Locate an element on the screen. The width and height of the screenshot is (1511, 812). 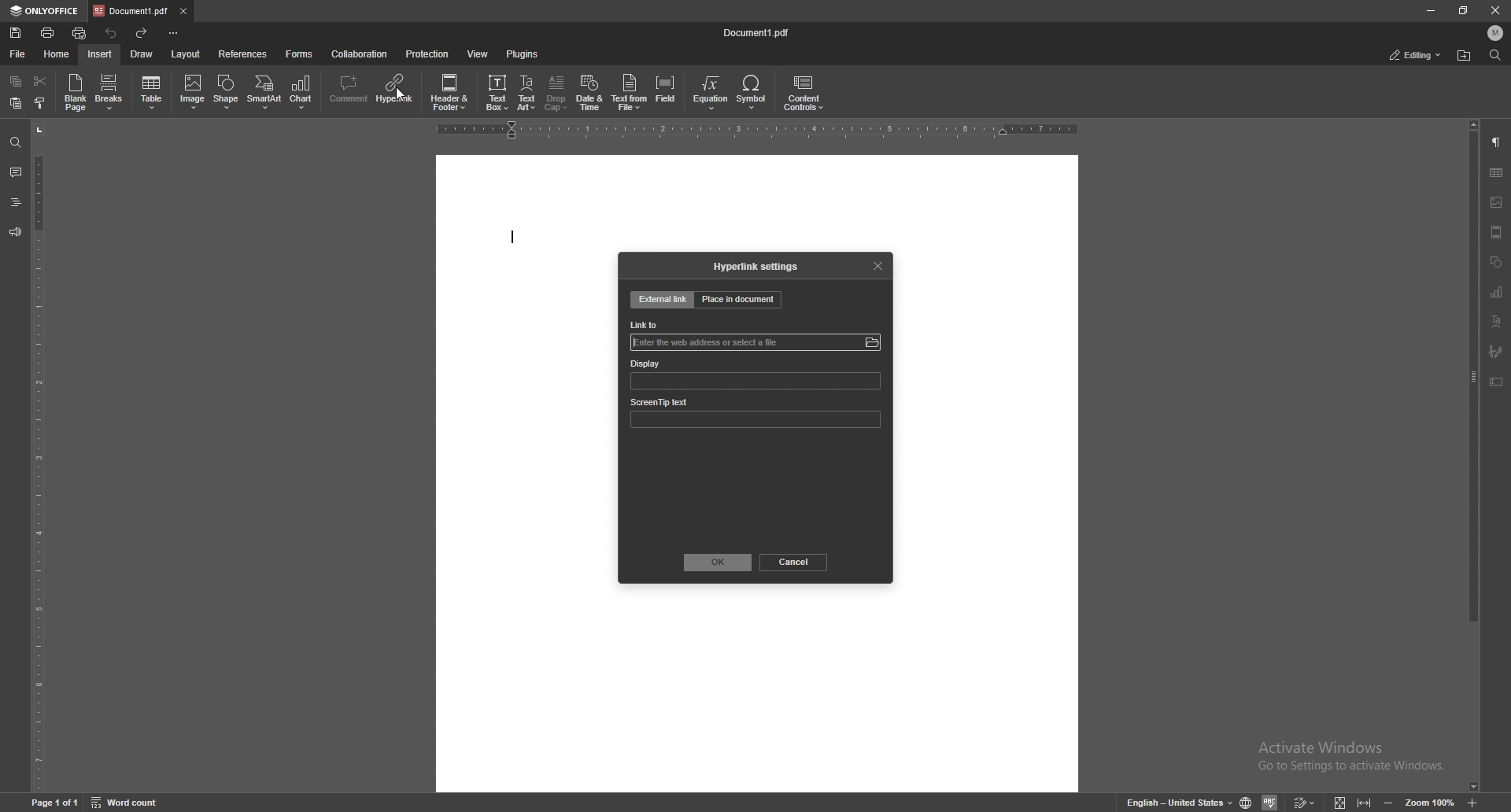
plugins is located at coordinates (522, 54).